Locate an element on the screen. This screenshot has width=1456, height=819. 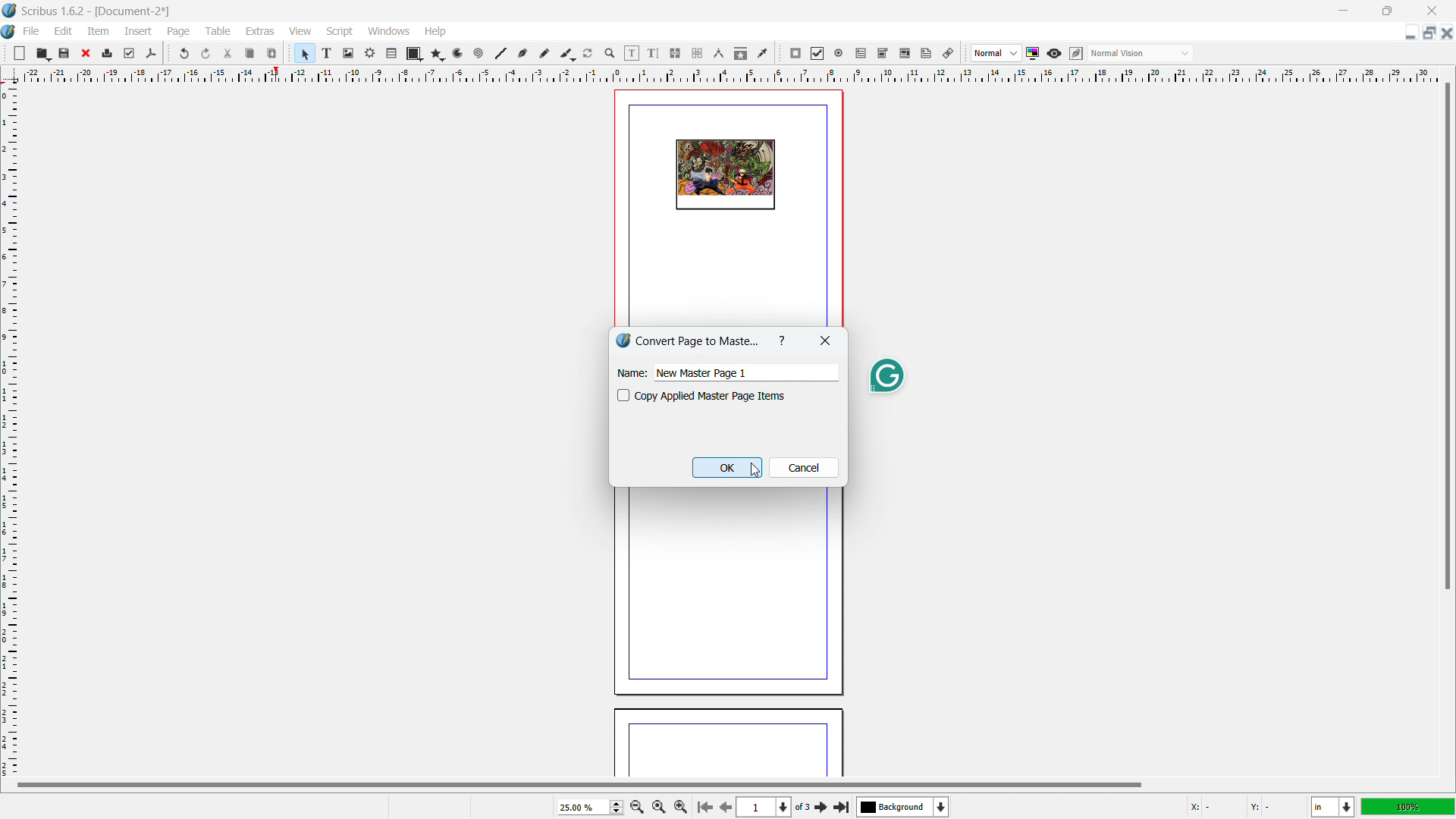
windows is located at coordinates (390, 31).